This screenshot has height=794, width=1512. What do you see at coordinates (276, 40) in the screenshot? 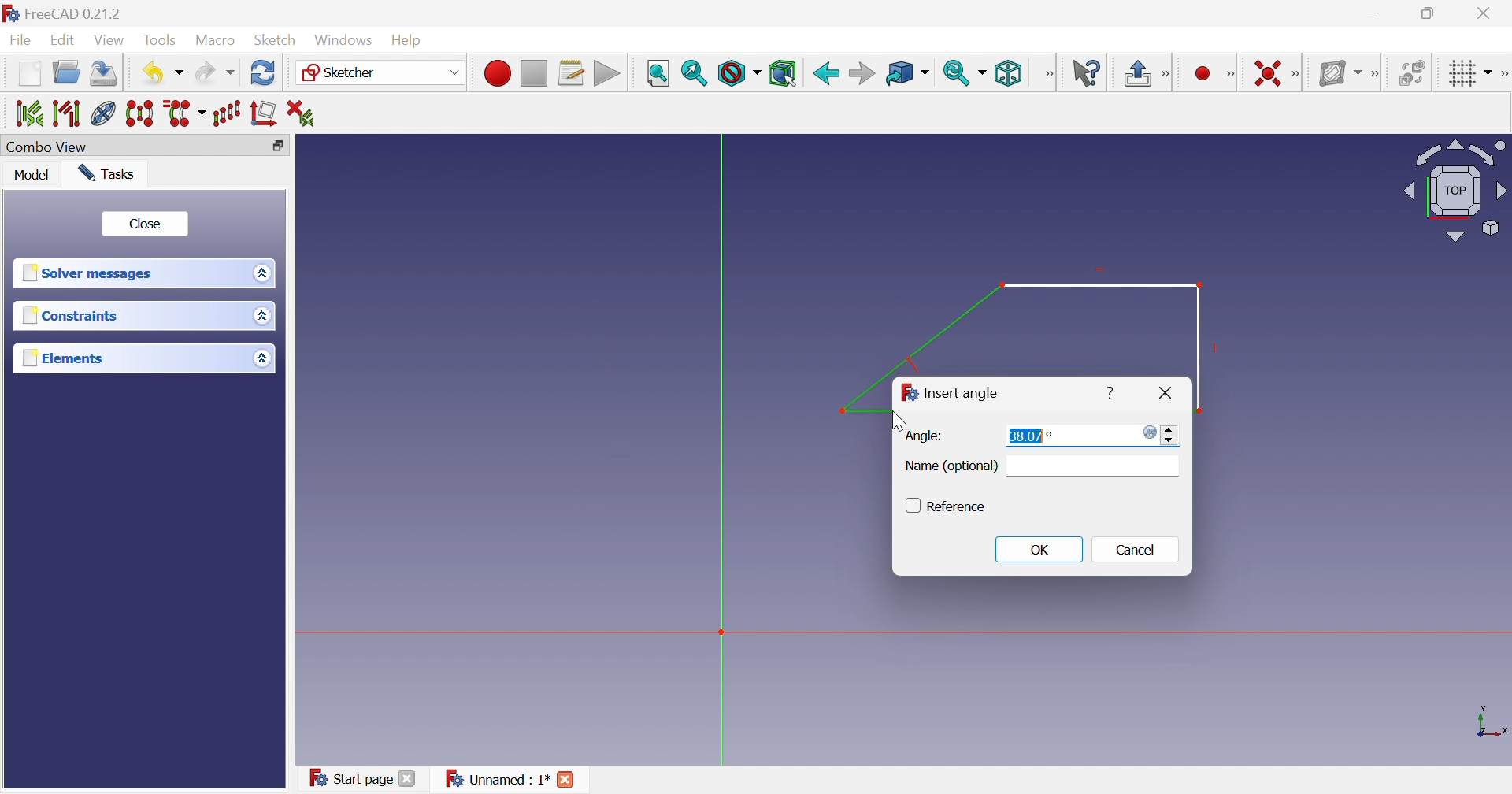
I see `Sketch` at bounding box center [276, 40].